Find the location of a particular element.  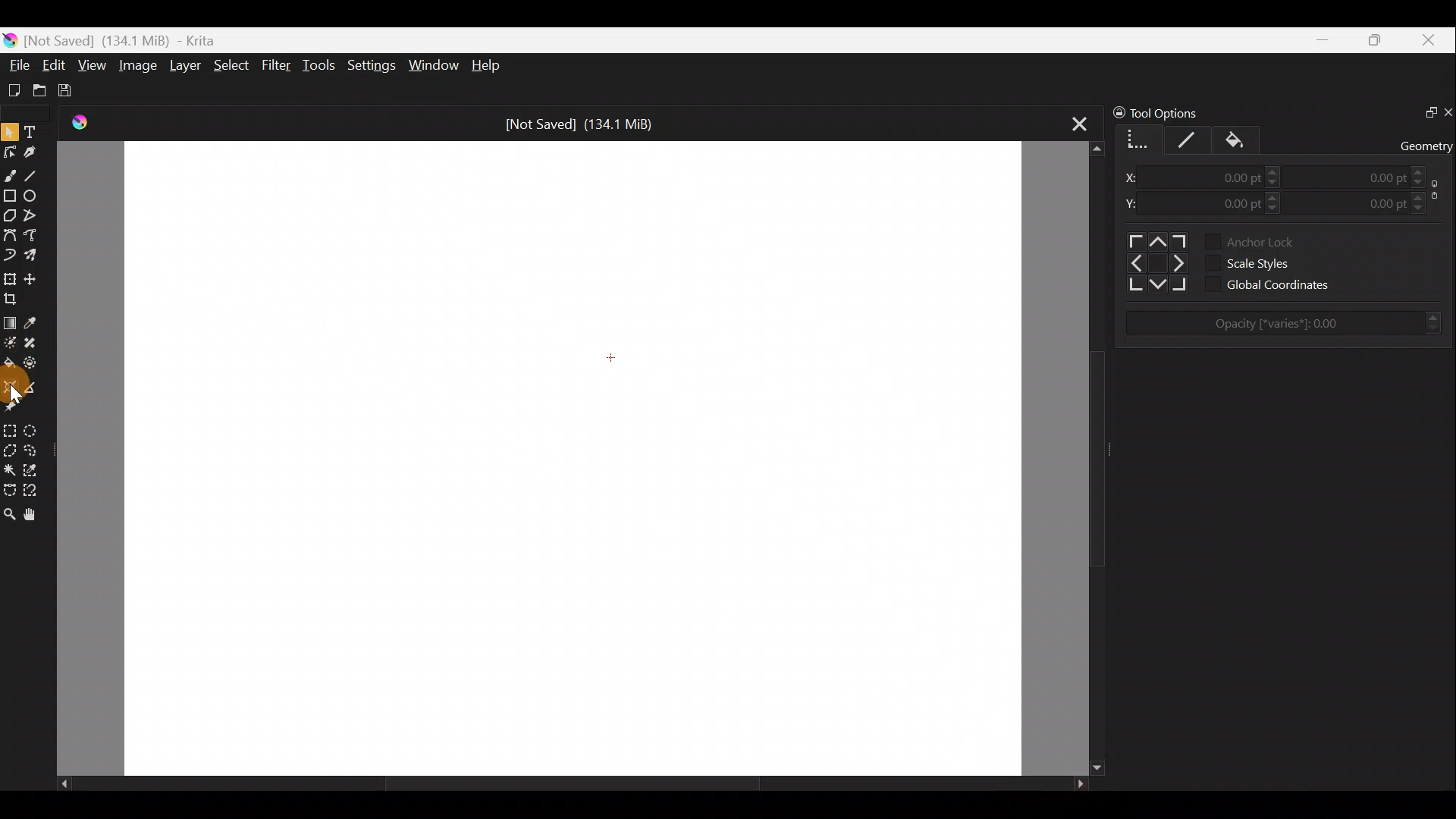

Increase is located at coordinates (1273, 195).